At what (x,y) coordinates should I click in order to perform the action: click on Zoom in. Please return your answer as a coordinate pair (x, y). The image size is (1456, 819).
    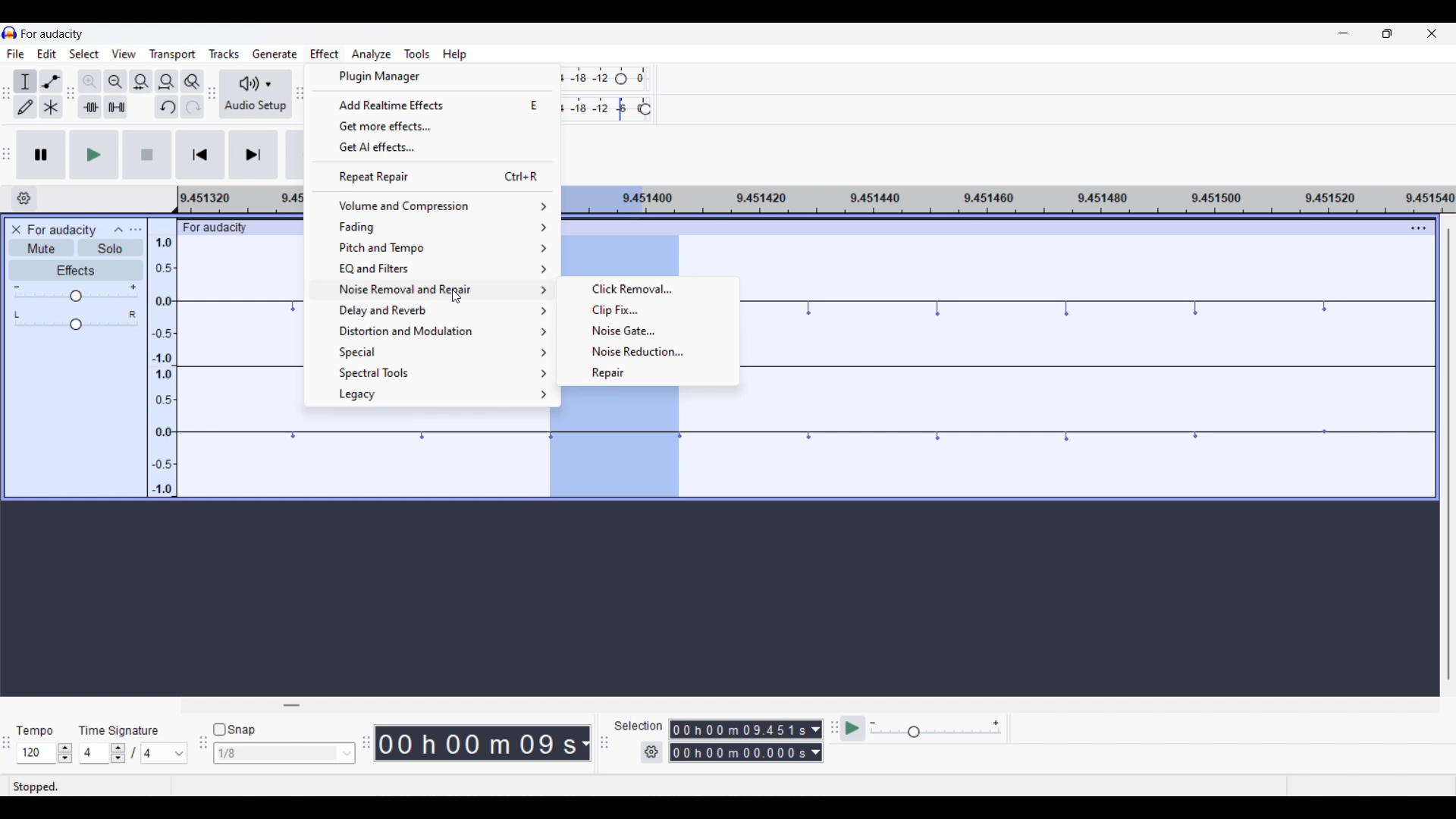
    Looking at the image, I should click on (89, 82).